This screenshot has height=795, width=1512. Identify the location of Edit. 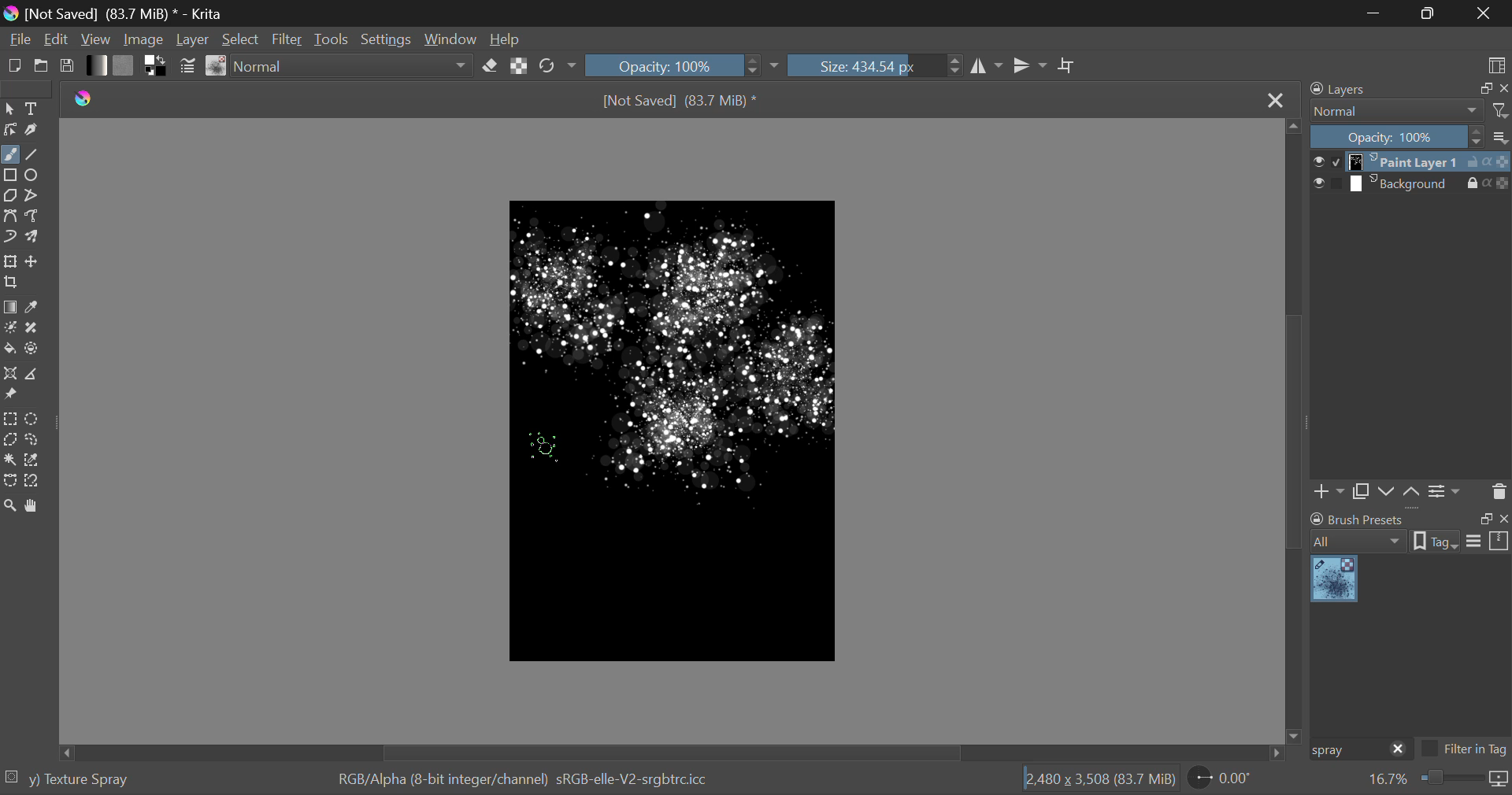
(57, 39).